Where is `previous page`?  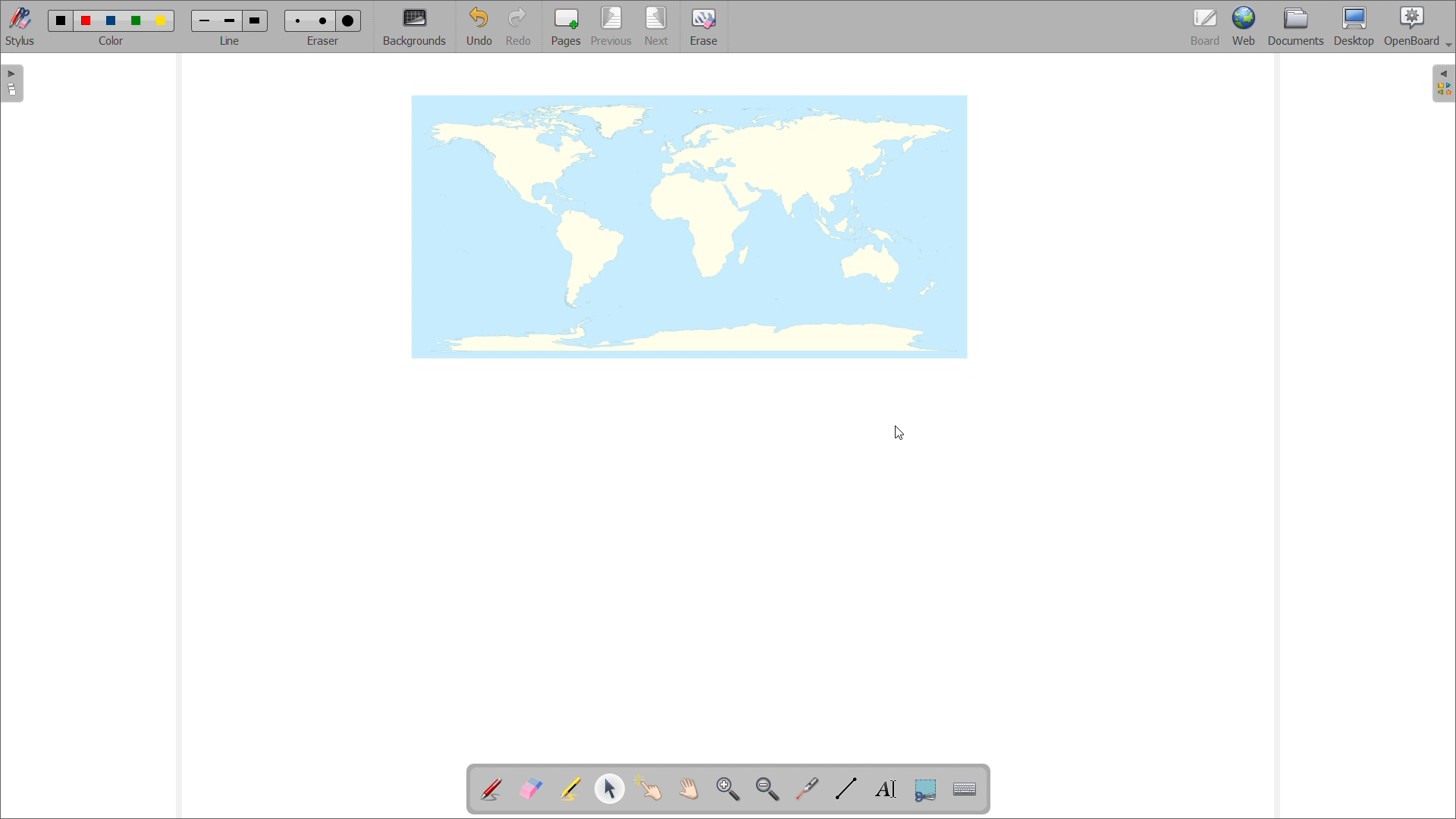
previous page is located at coordinates (611, 27).